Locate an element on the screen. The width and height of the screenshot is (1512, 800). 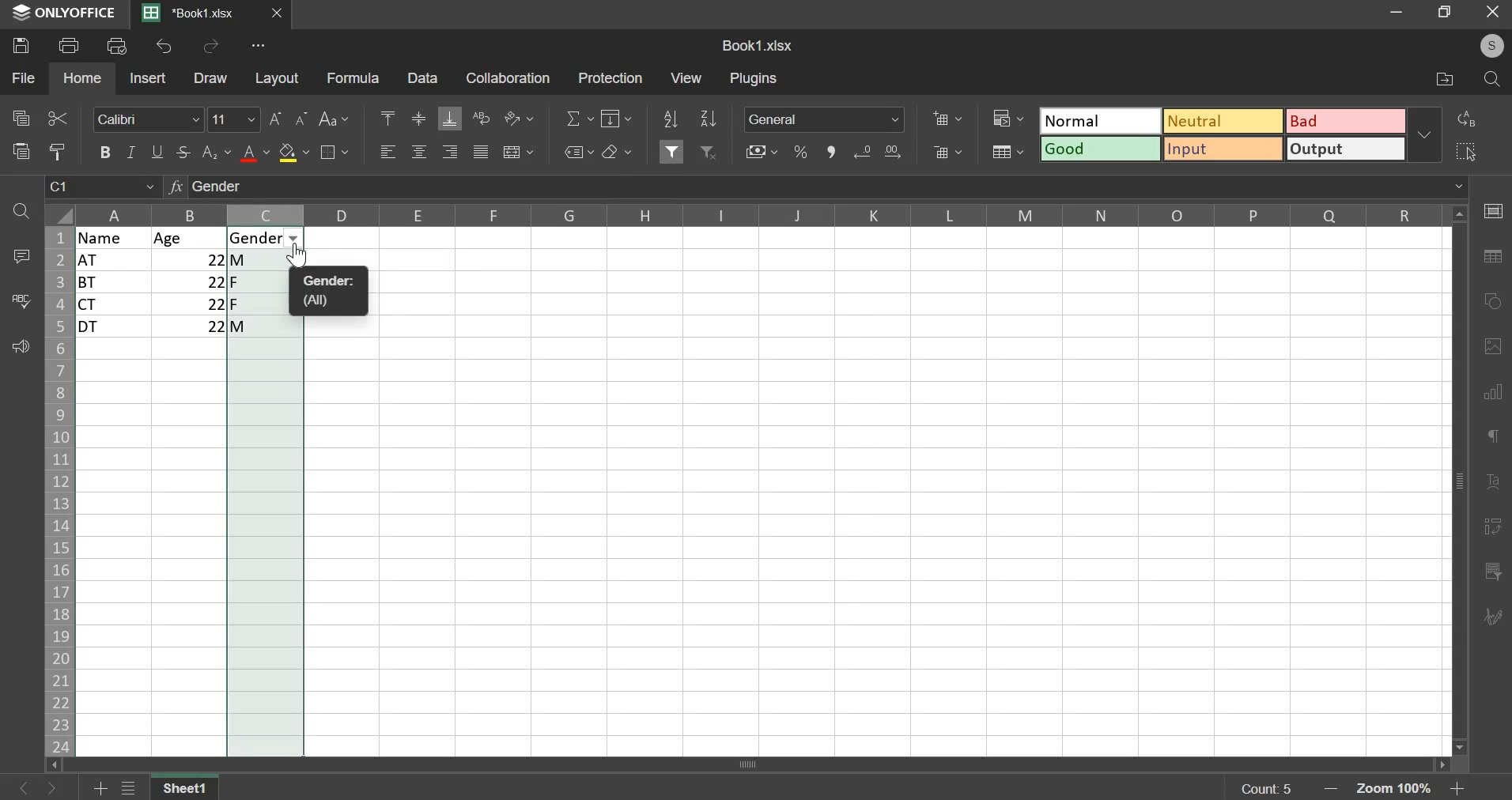
bt is located at coordinates (112, 282).